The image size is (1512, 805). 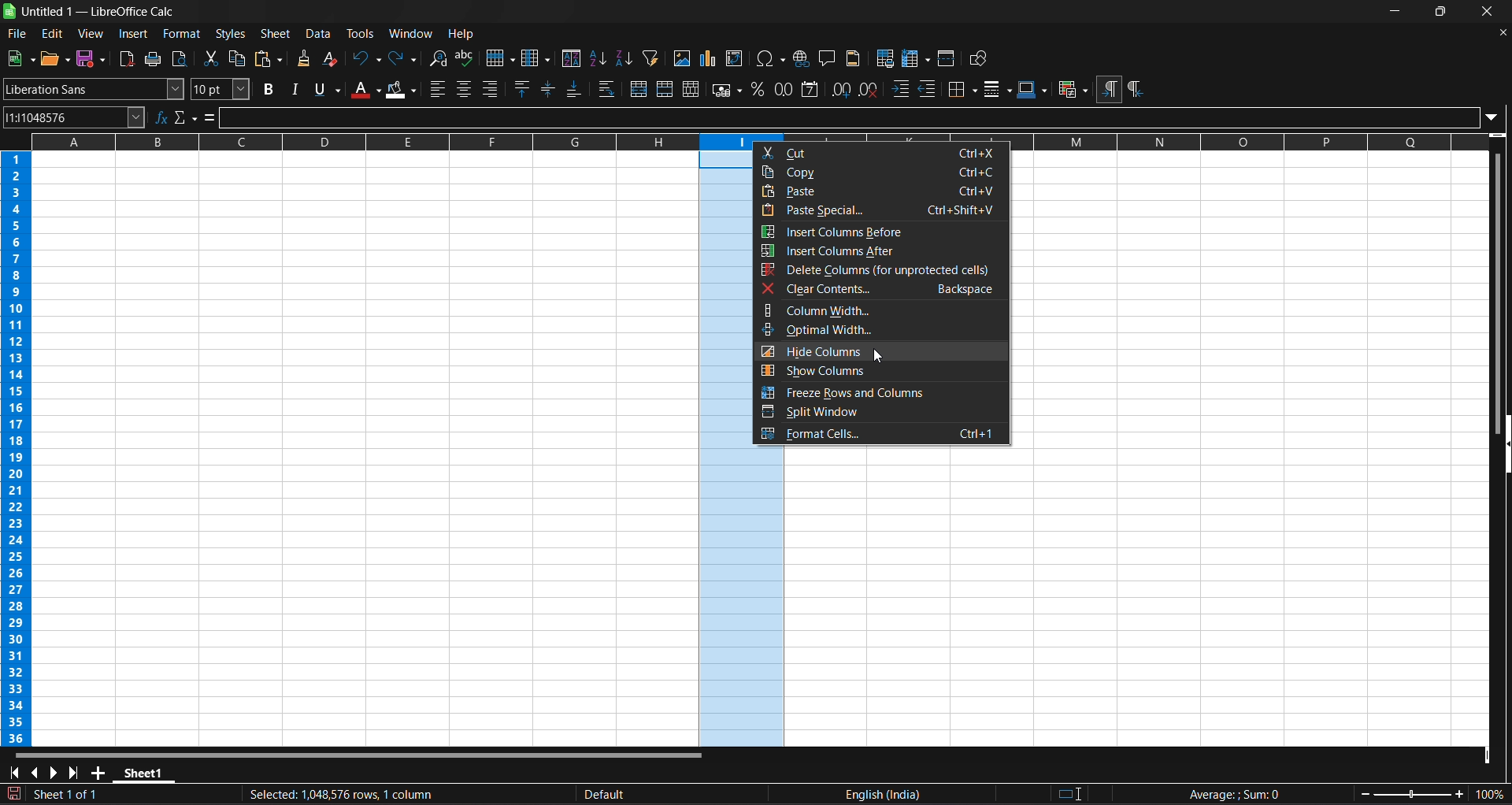 I want to click on new, so click(x=21, y=57).